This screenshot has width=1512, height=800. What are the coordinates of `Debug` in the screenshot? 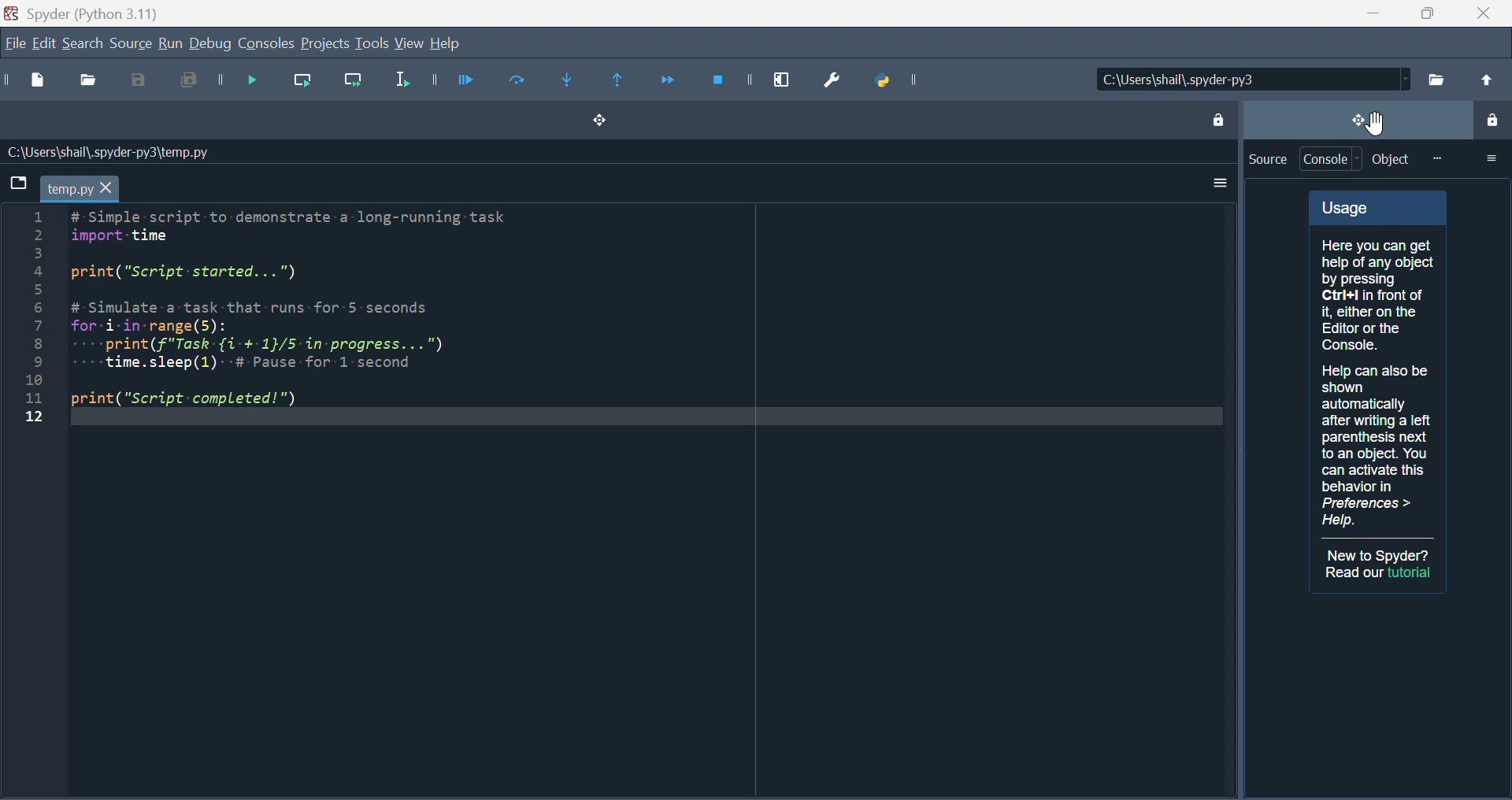 It's located at (211, 45).